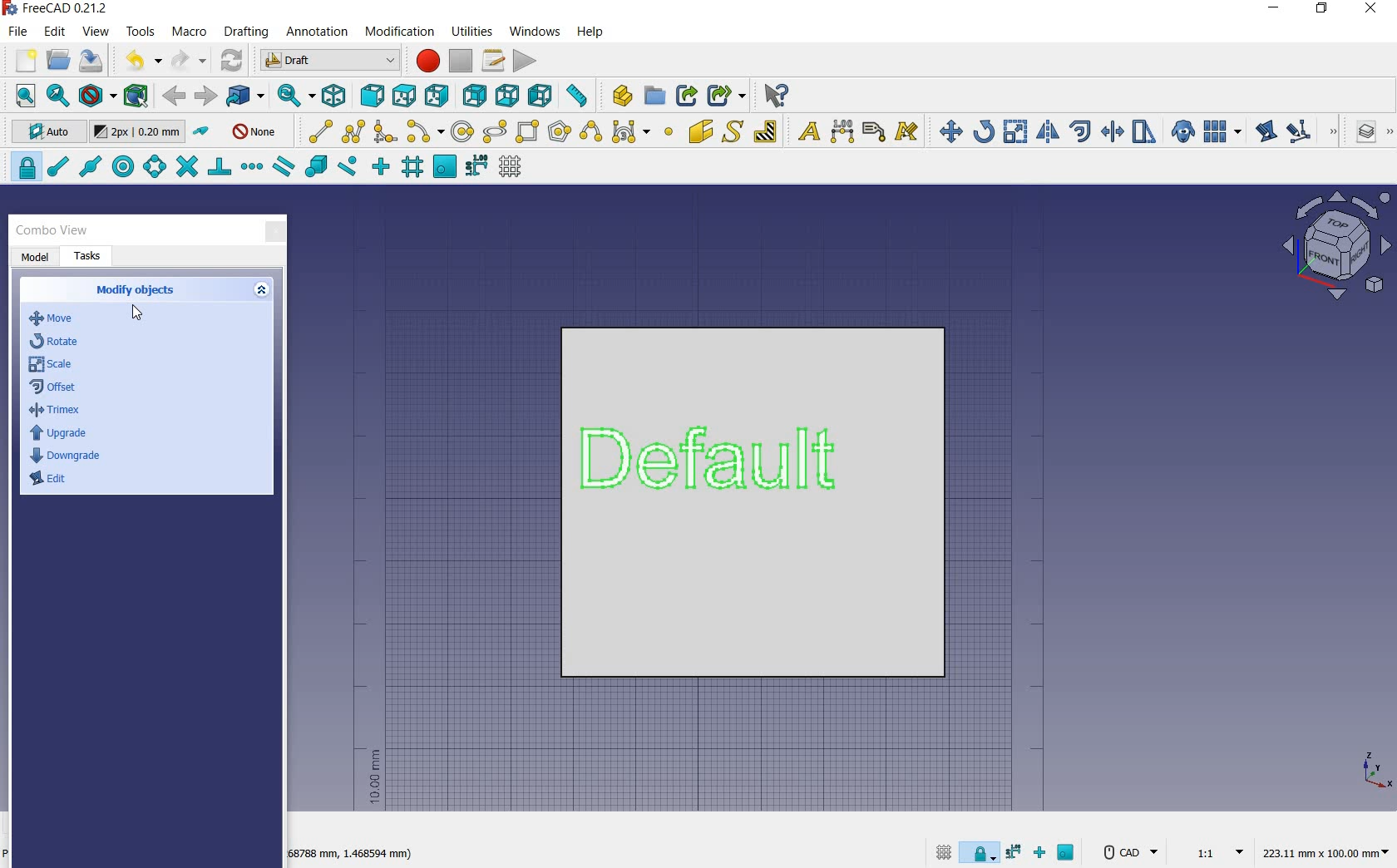 The image size is (1397, 868). I want to click on help, so click(590, 32).